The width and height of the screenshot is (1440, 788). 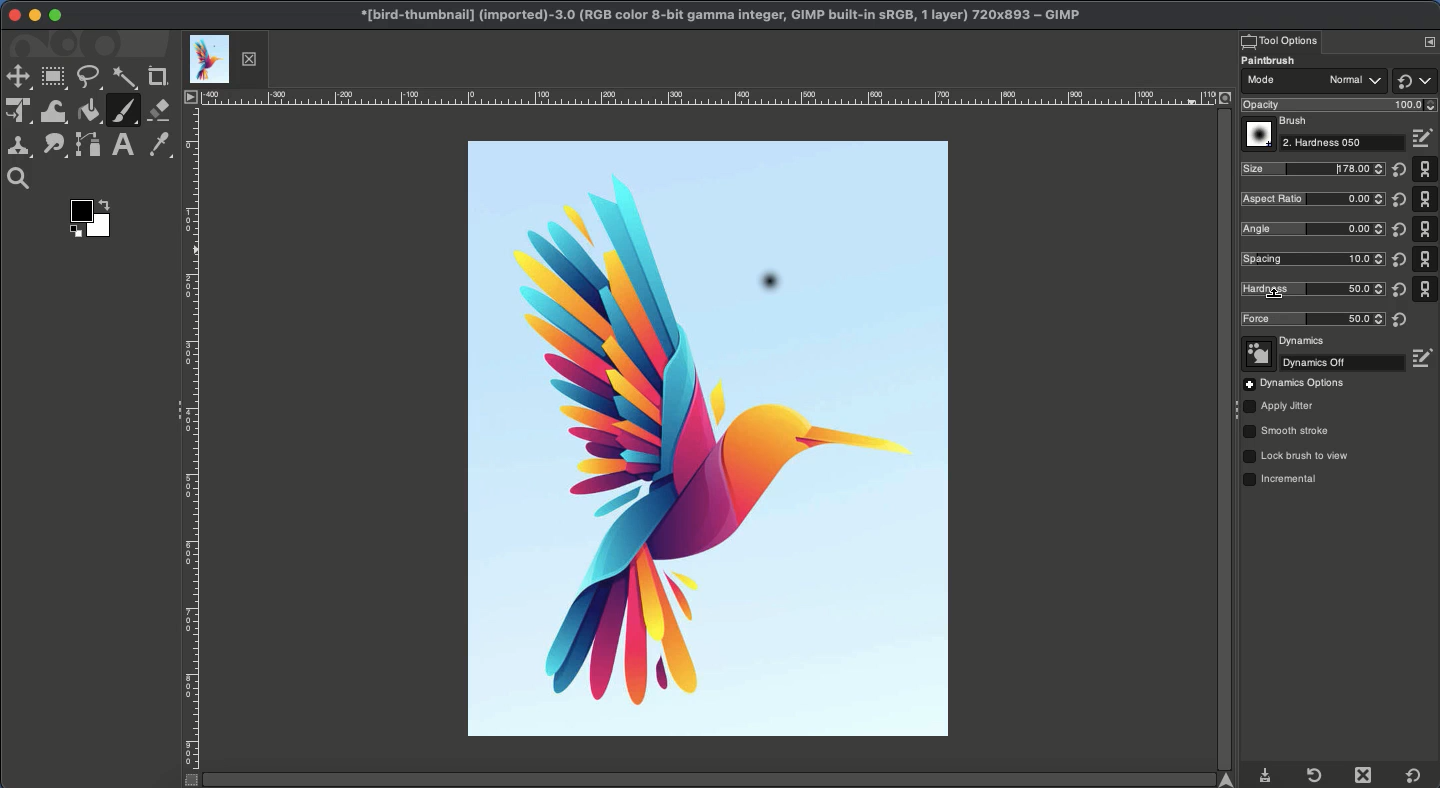 I want to click on Crop, so click(x=159, y=77).